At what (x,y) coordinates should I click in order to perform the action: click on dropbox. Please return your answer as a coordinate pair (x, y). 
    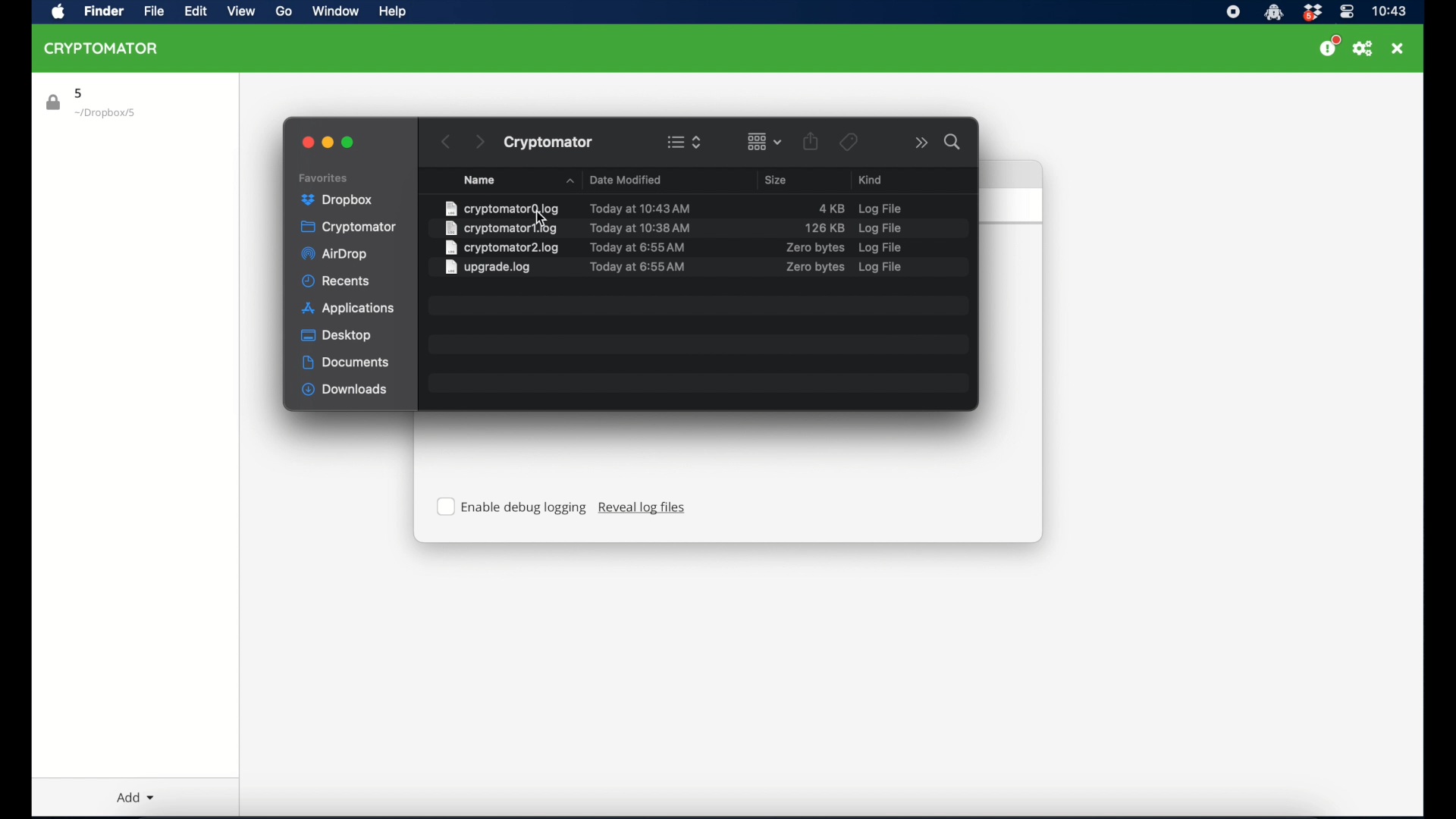
    Looking at the image, I should click on (340, 199).